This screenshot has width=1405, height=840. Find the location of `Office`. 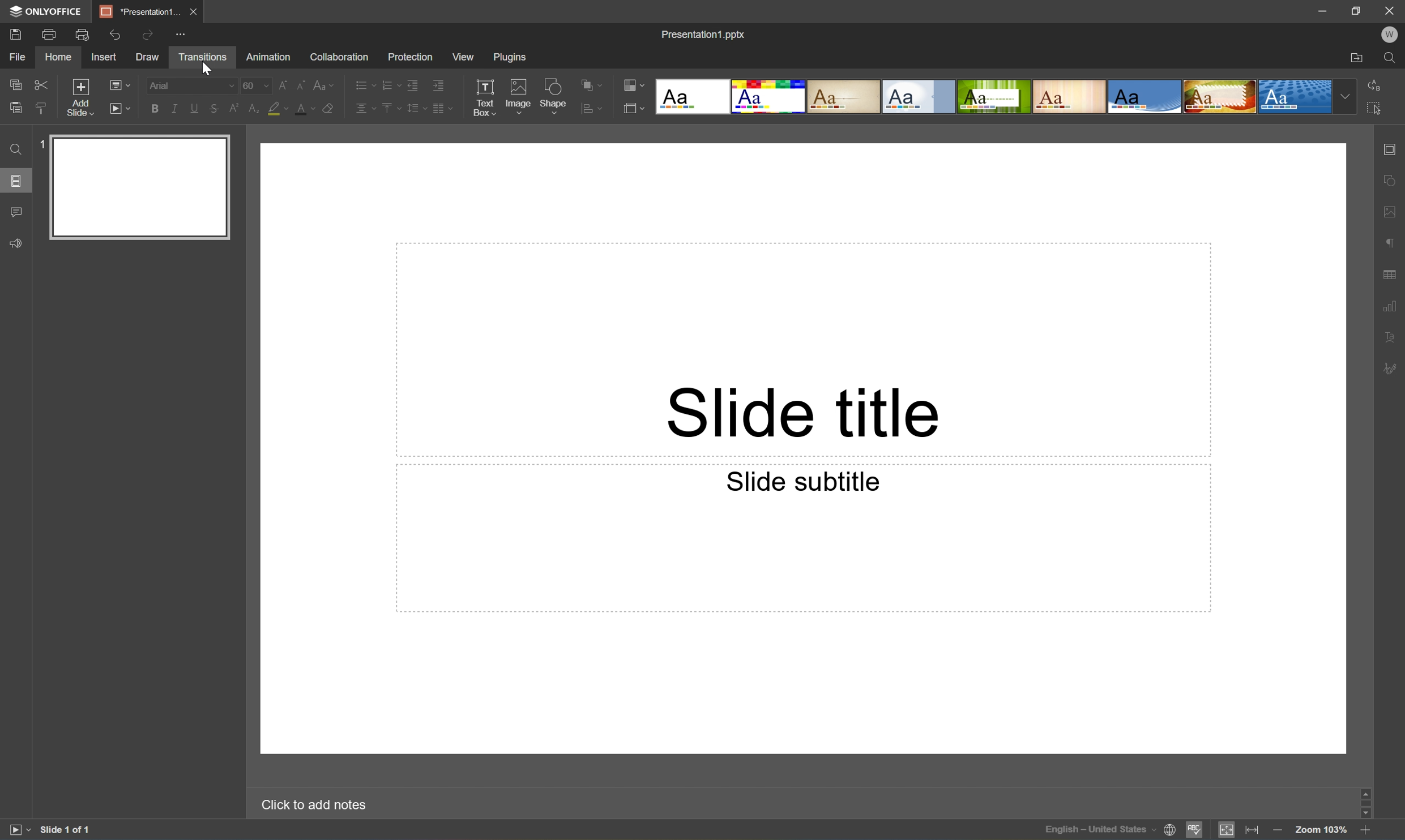

Office is located at coordinates (1144, 97).